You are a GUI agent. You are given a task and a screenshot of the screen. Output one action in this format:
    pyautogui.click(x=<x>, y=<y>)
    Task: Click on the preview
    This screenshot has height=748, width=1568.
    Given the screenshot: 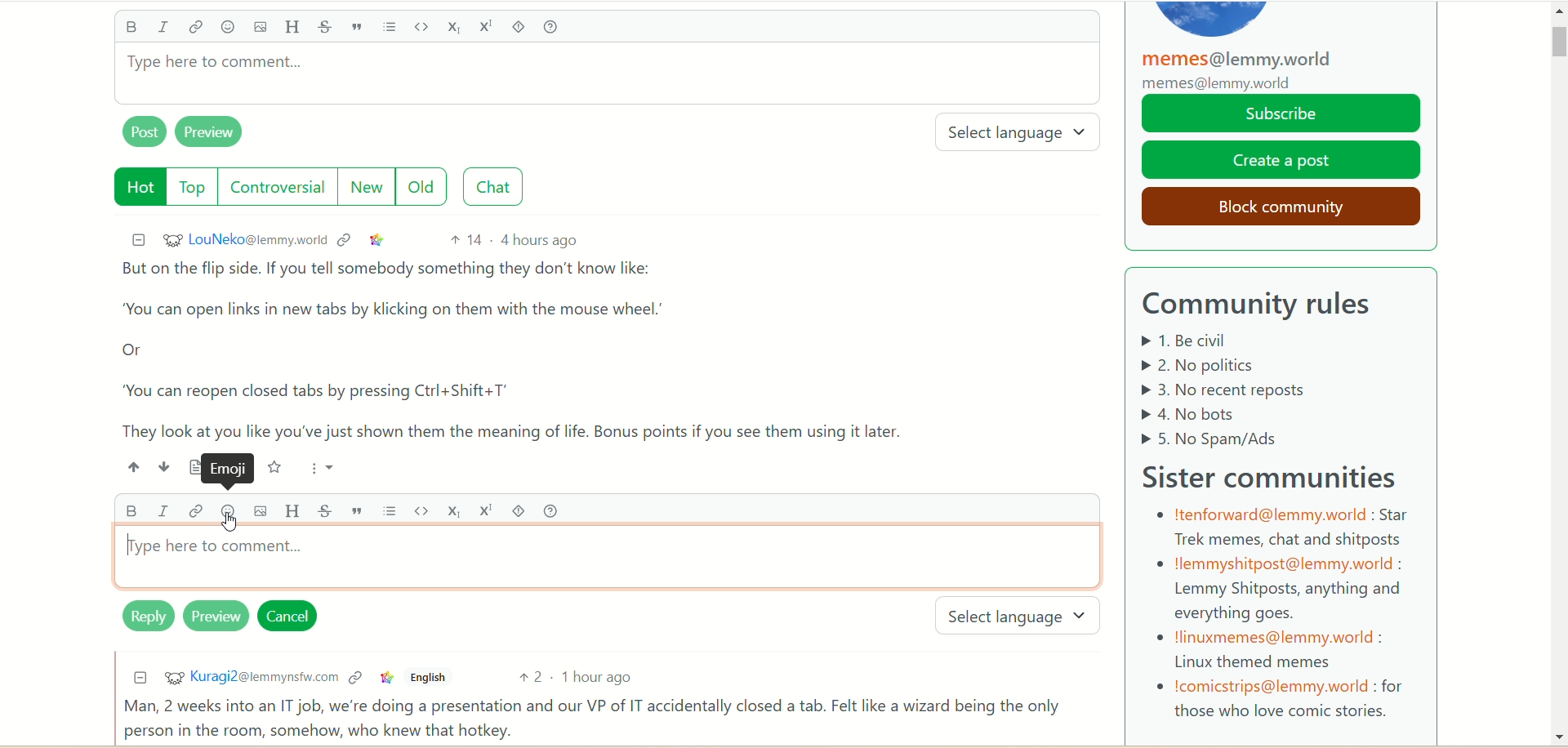 What is the action you would take?
    pyautogui.click(x=215, y=617)
    